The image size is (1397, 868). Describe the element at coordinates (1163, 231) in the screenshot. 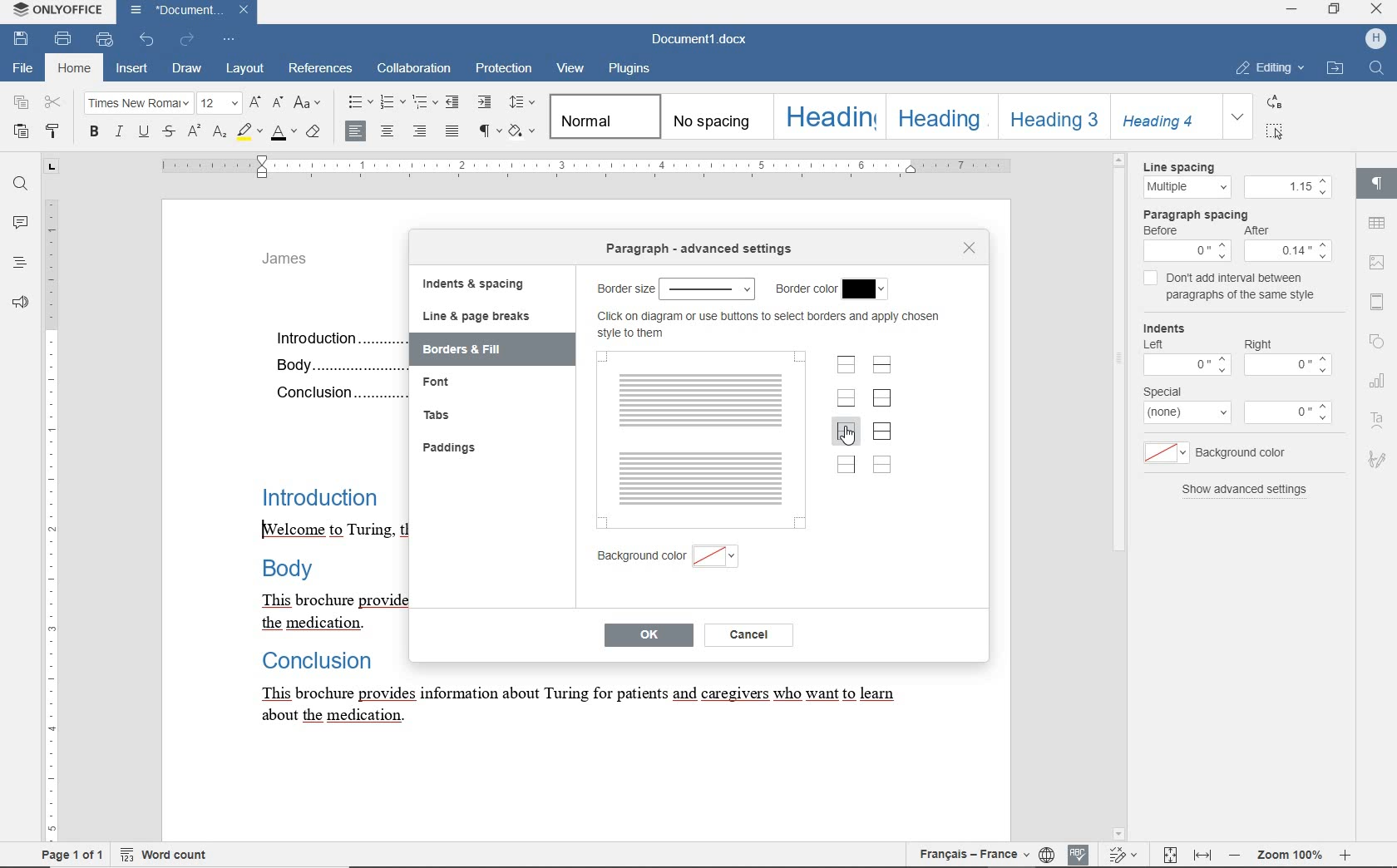

I see `before` at that location.